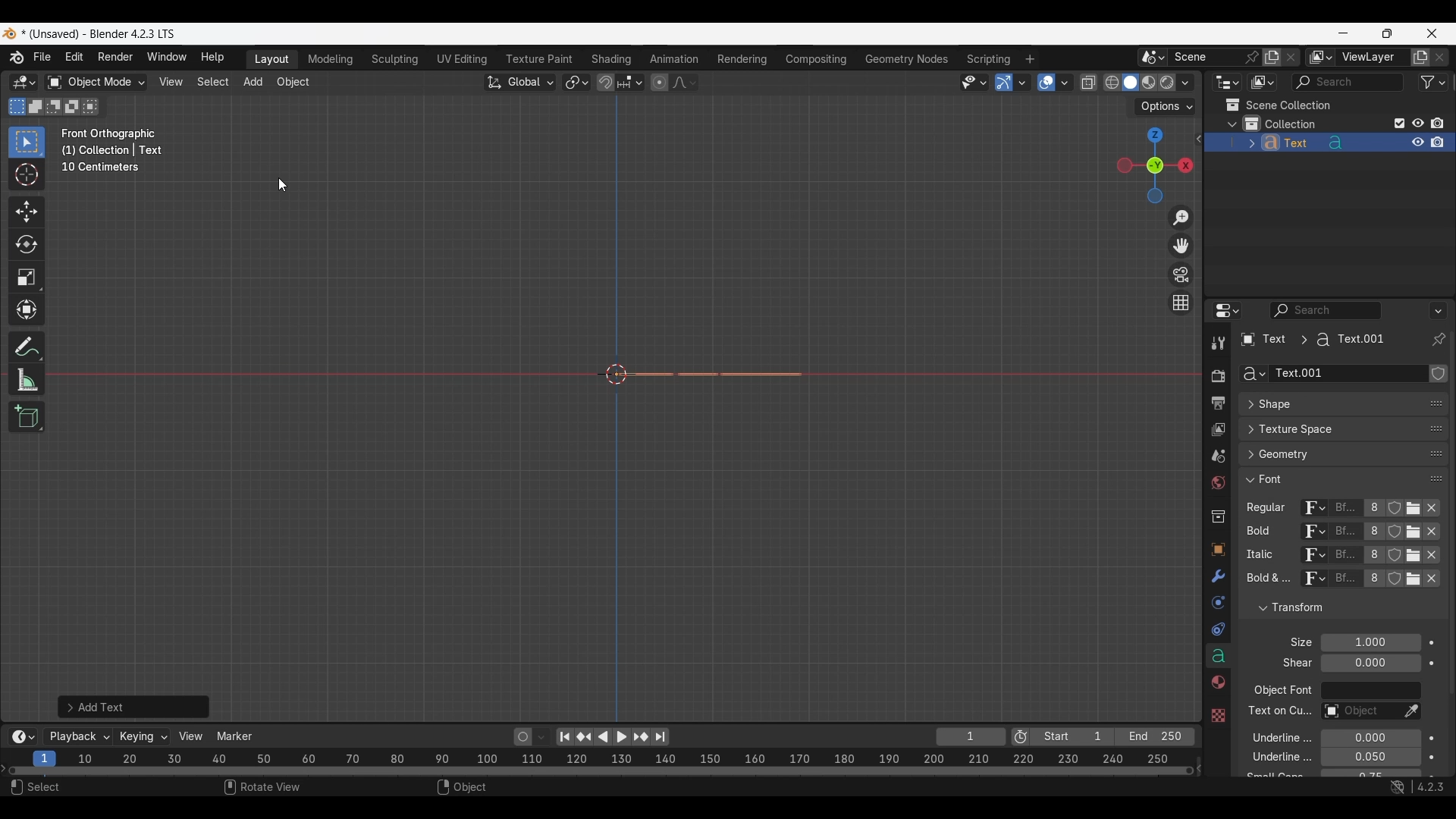 Image resolution: width=1456 pixels, height=819 pixels. What do you see at coordinates (1151, 165) in the screenshot?
I see `Click to use a preset viewport` at bounding box center [1151, 165].